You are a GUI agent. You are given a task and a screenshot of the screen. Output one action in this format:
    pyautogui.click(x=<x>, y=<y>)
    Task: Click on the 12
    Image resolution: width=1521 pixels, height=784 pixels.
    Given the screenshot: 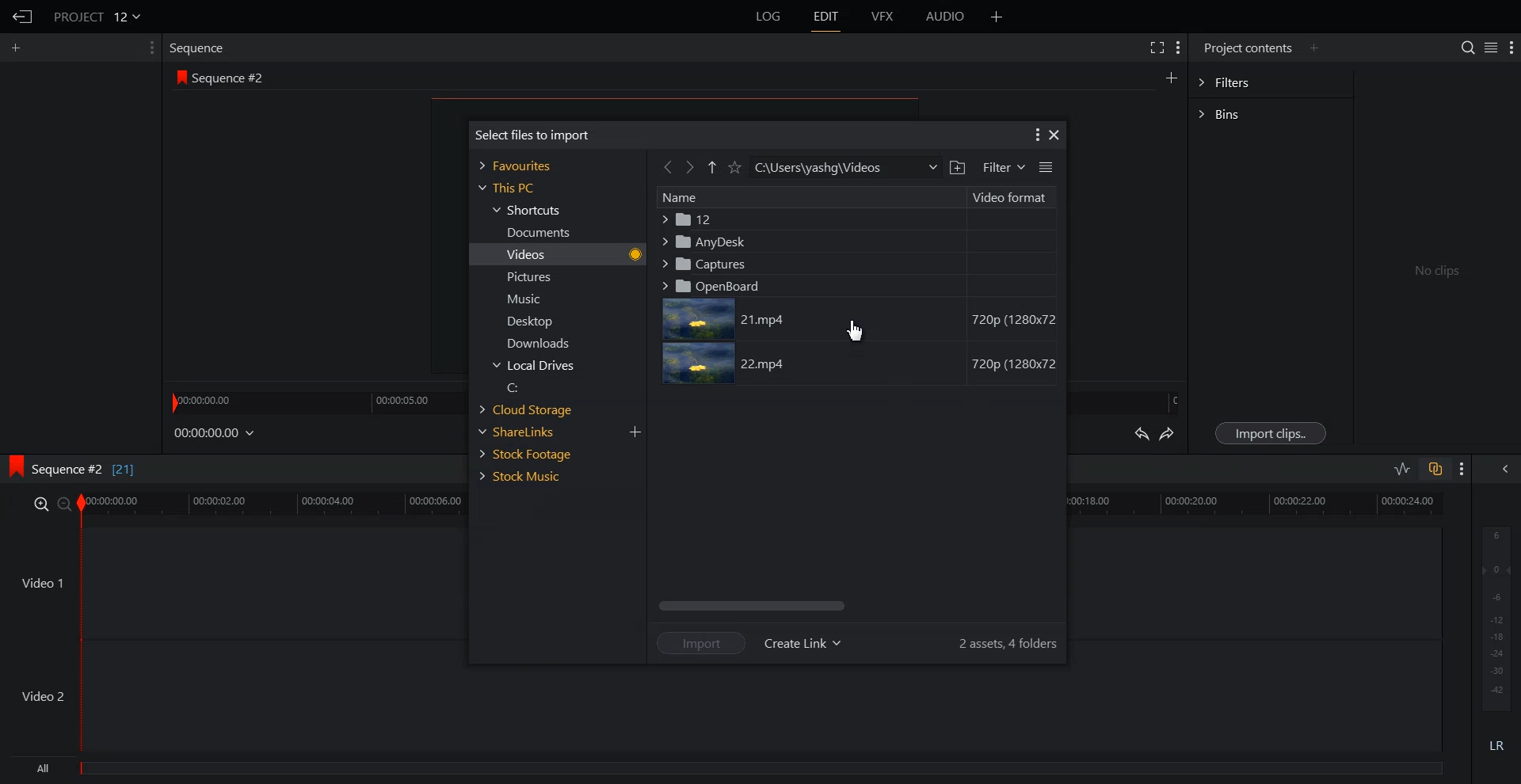 What is the action you would take?
    pyautogui.click(x=856, y=220)
    